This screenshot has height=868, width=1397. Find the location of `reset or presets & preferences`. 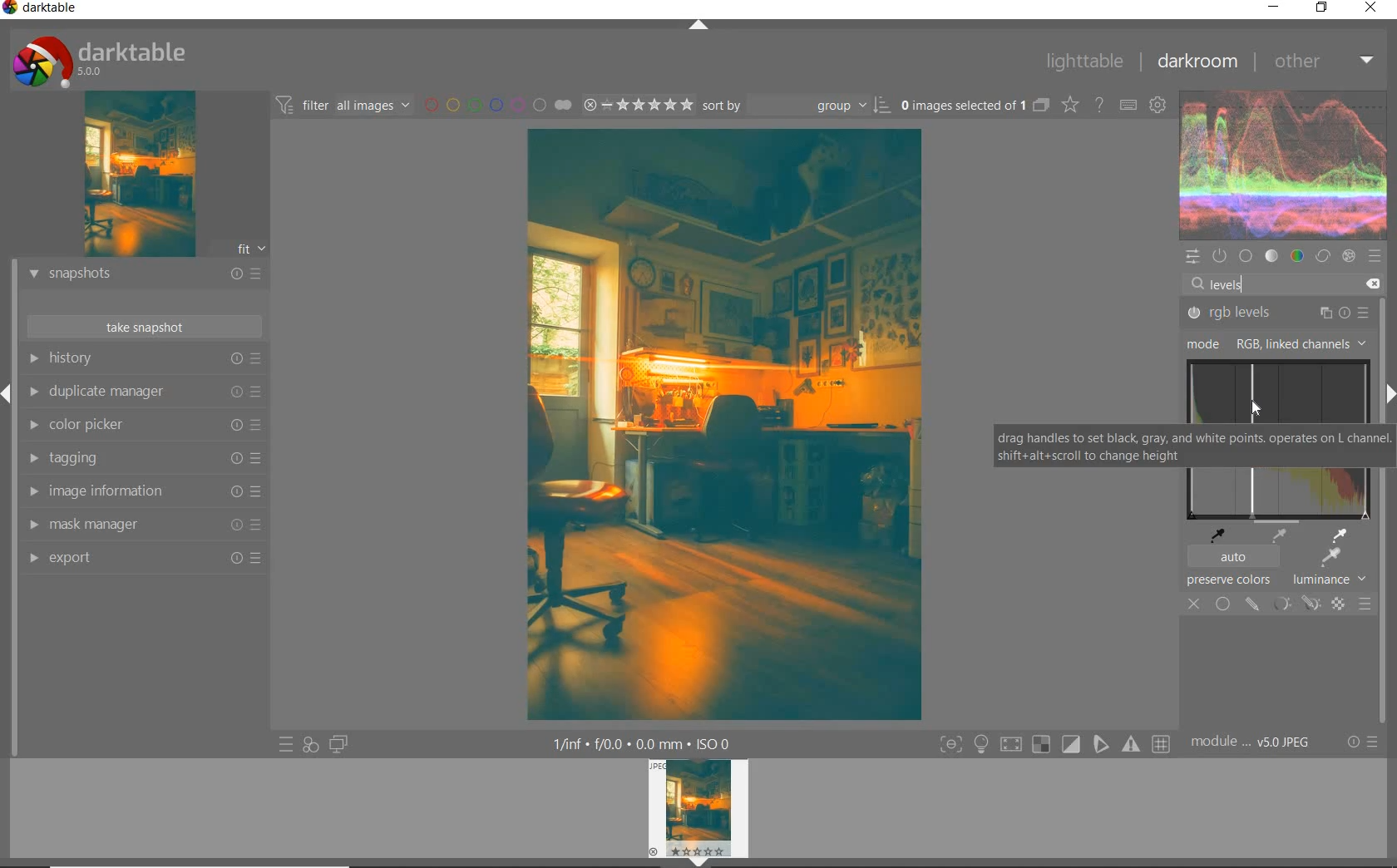

reset or presets & preferences is located at coordinates (1362, 742).